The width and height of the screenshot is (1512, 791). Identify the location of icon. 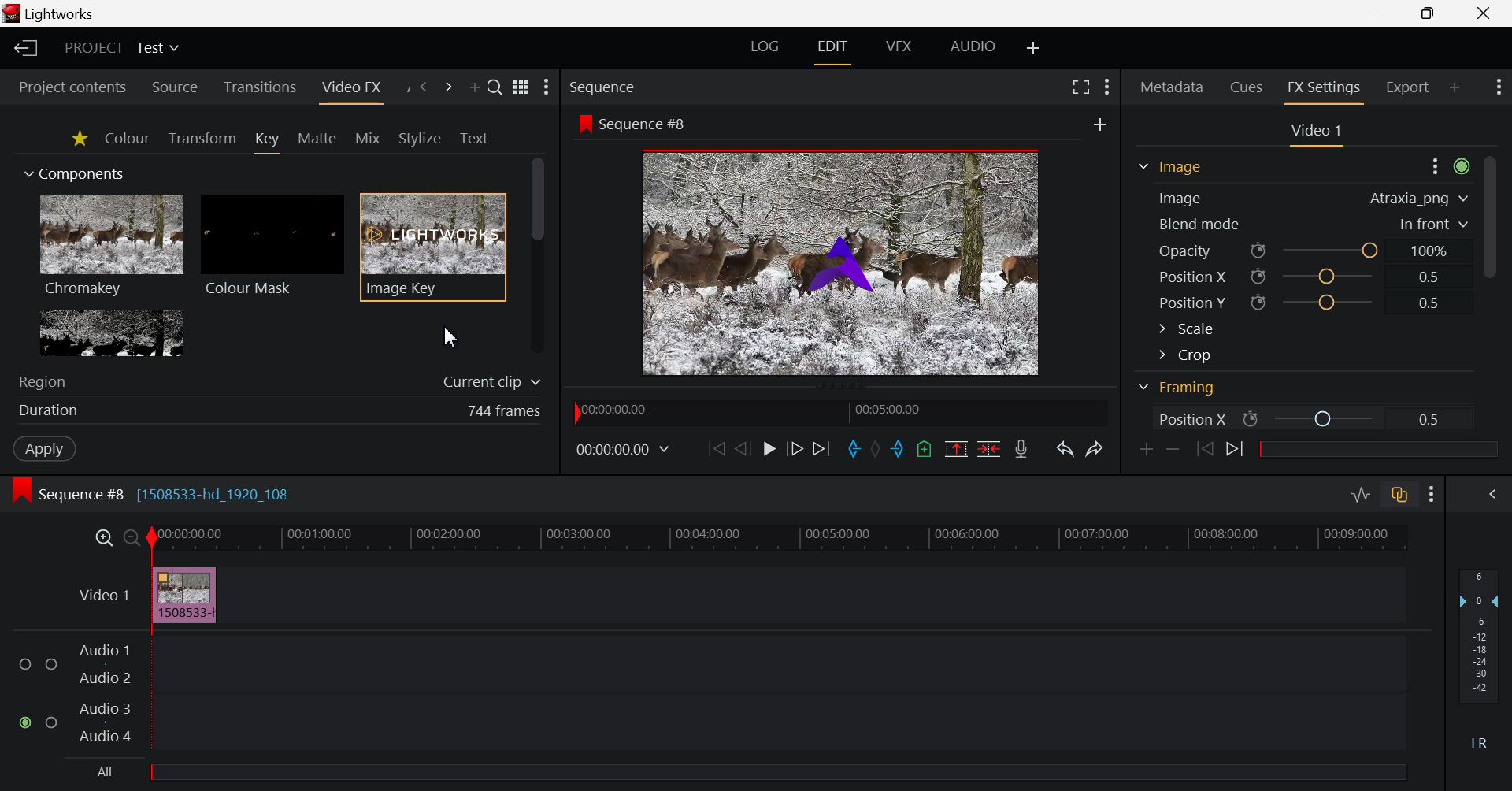
(1259, 276).